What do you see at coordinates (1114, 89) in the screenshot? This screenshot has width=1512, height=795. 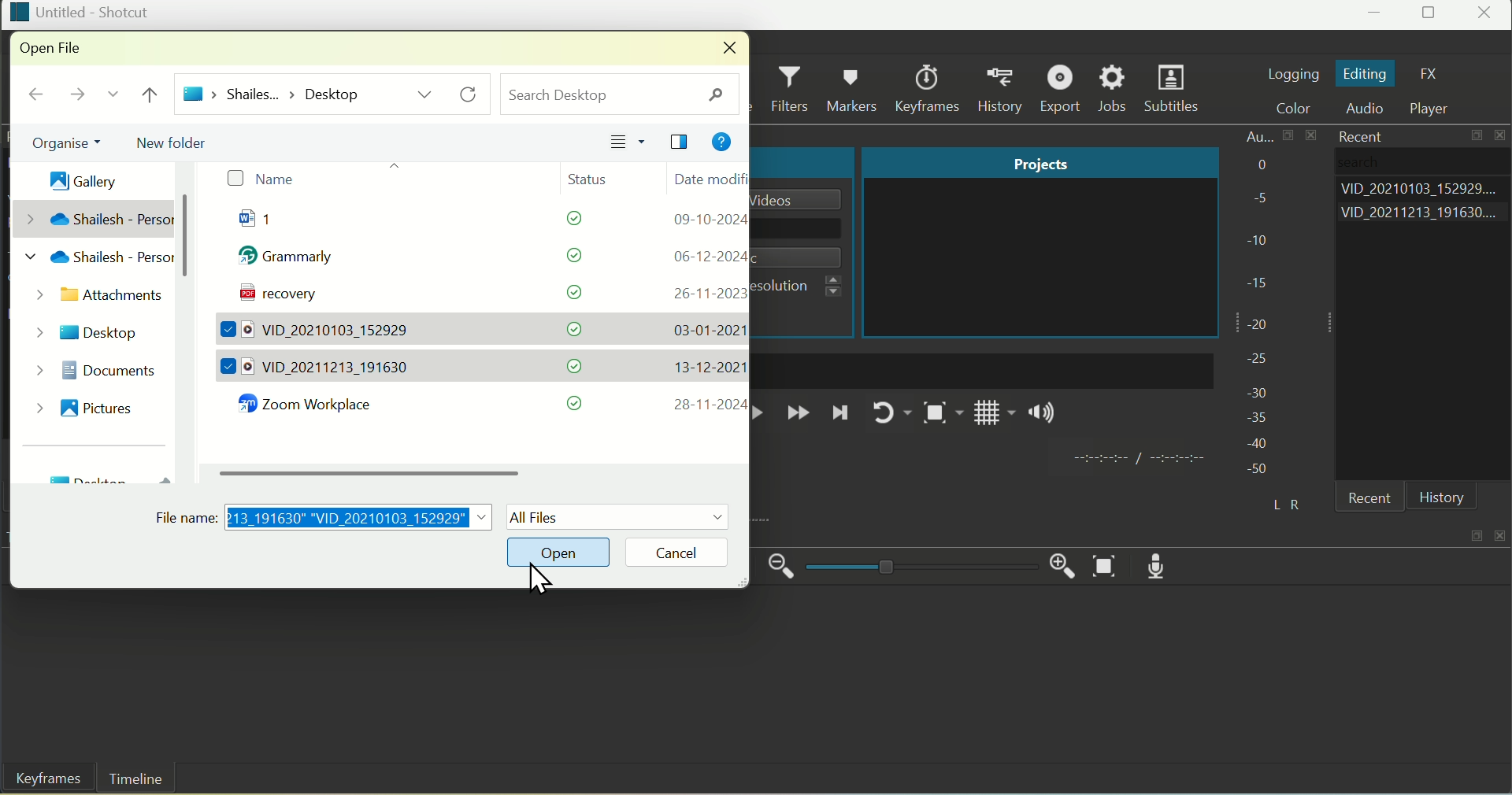 I see `Jobs` at bounding box center [1114, 89].